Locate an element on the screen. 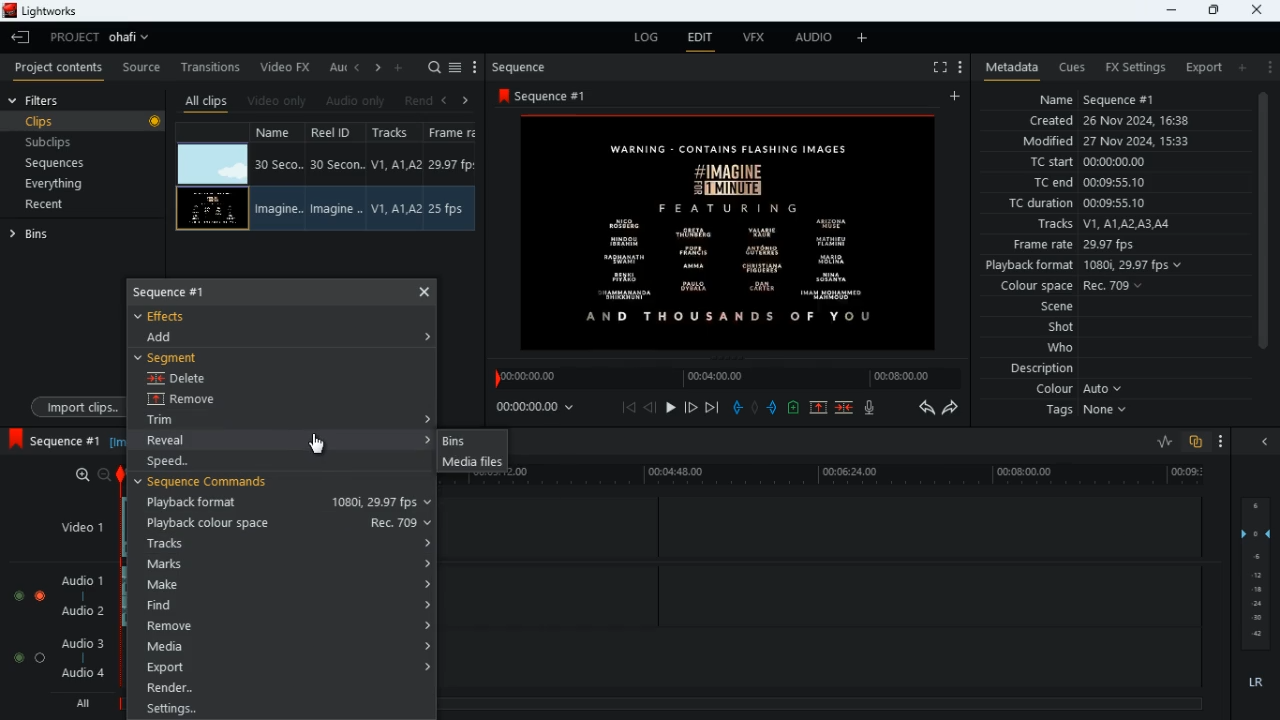 This screenshot has width=1280, height=720. playback format is located at coordinates (1086, 265).